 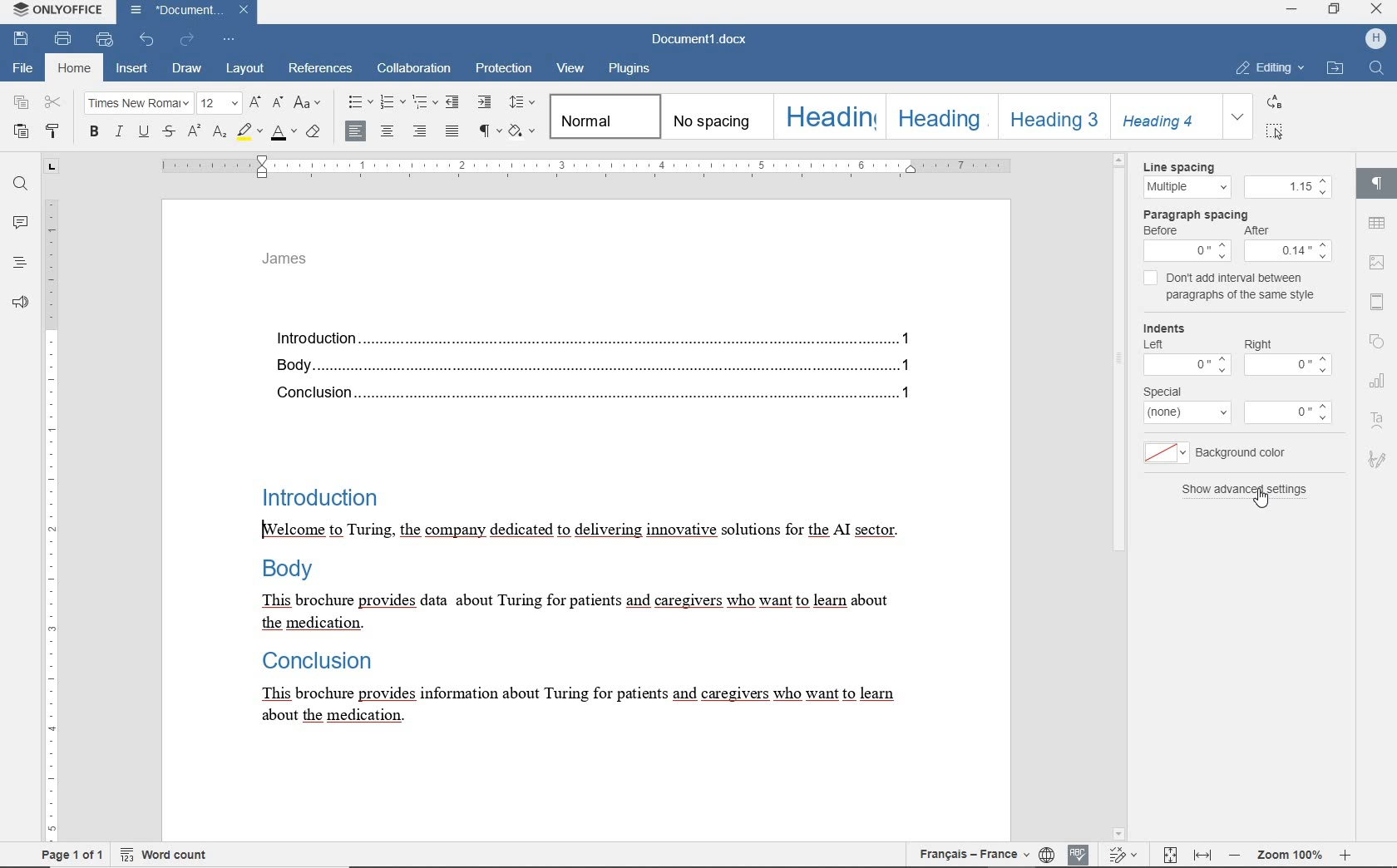 I want to click on scrollbar, so click(x=1348, y=495).